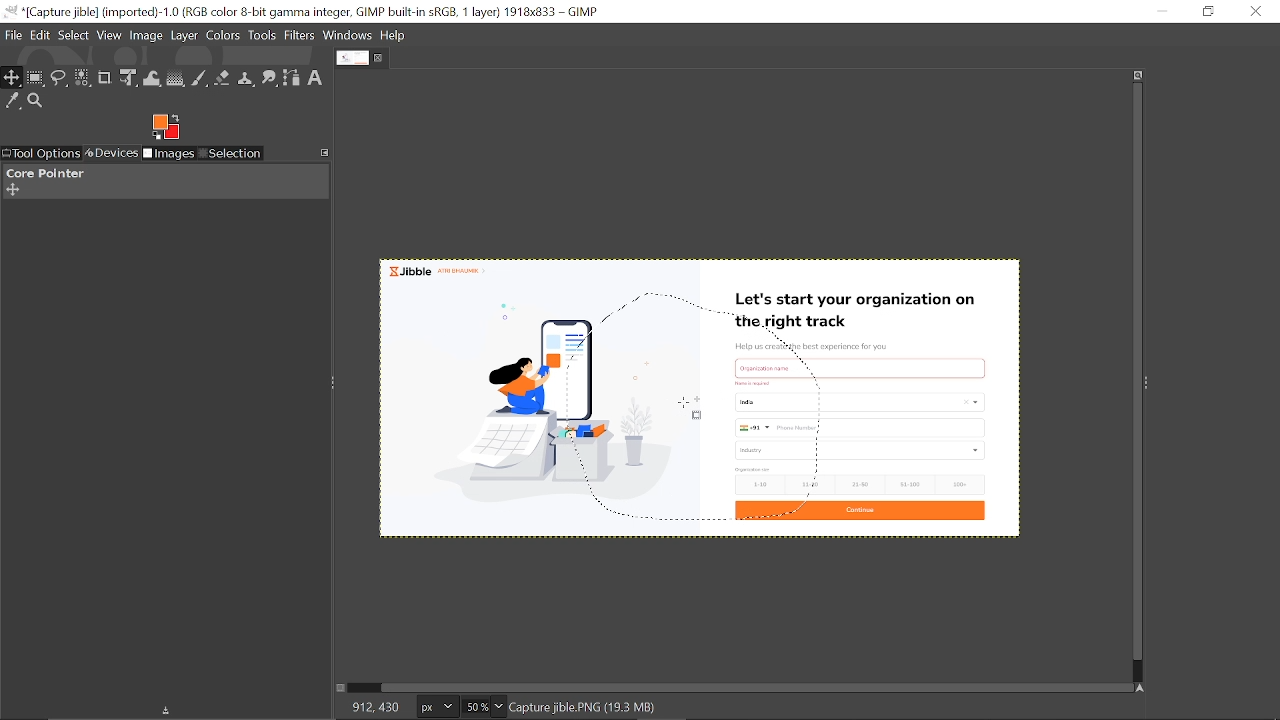  I want to click on Layer, so click(184, 37).